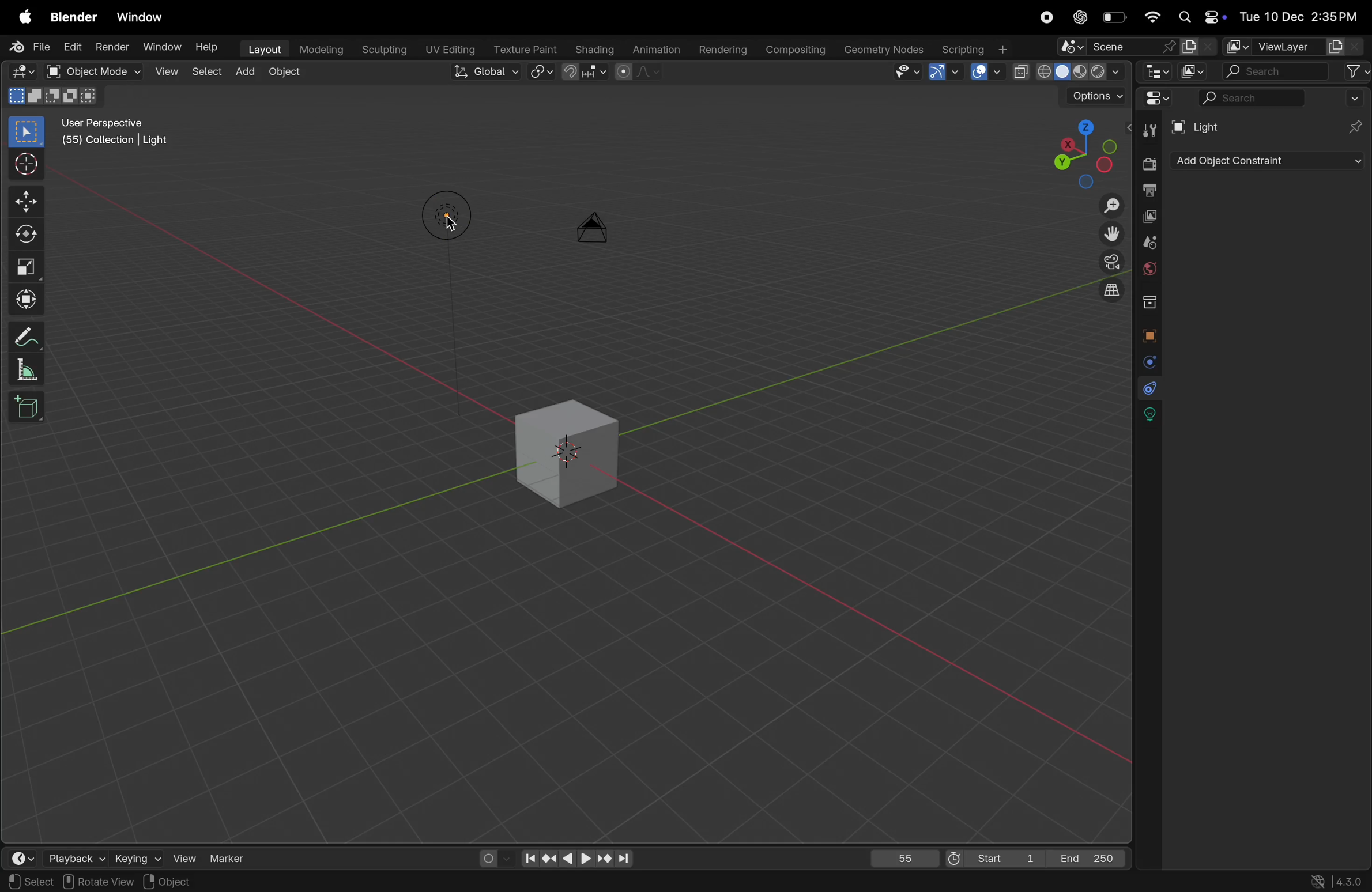 This screenshot has width=1372, height=892. What do you see at coordinates (262, 48) in the screenshot?
I see `layout` at bounding box center [262, 48].